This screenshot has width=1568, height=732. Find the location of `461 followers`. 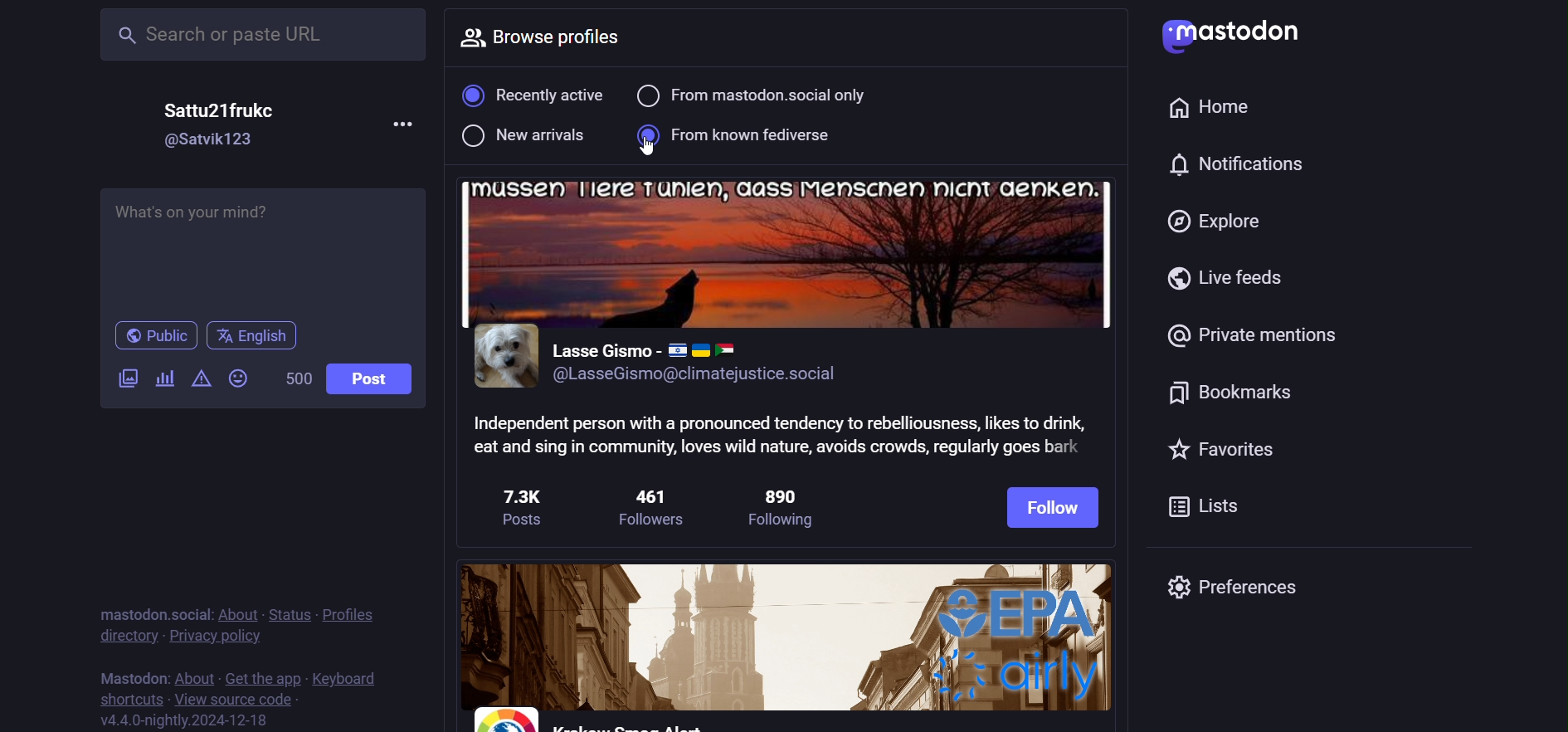

461 followers is located at coordinates (653, 507).